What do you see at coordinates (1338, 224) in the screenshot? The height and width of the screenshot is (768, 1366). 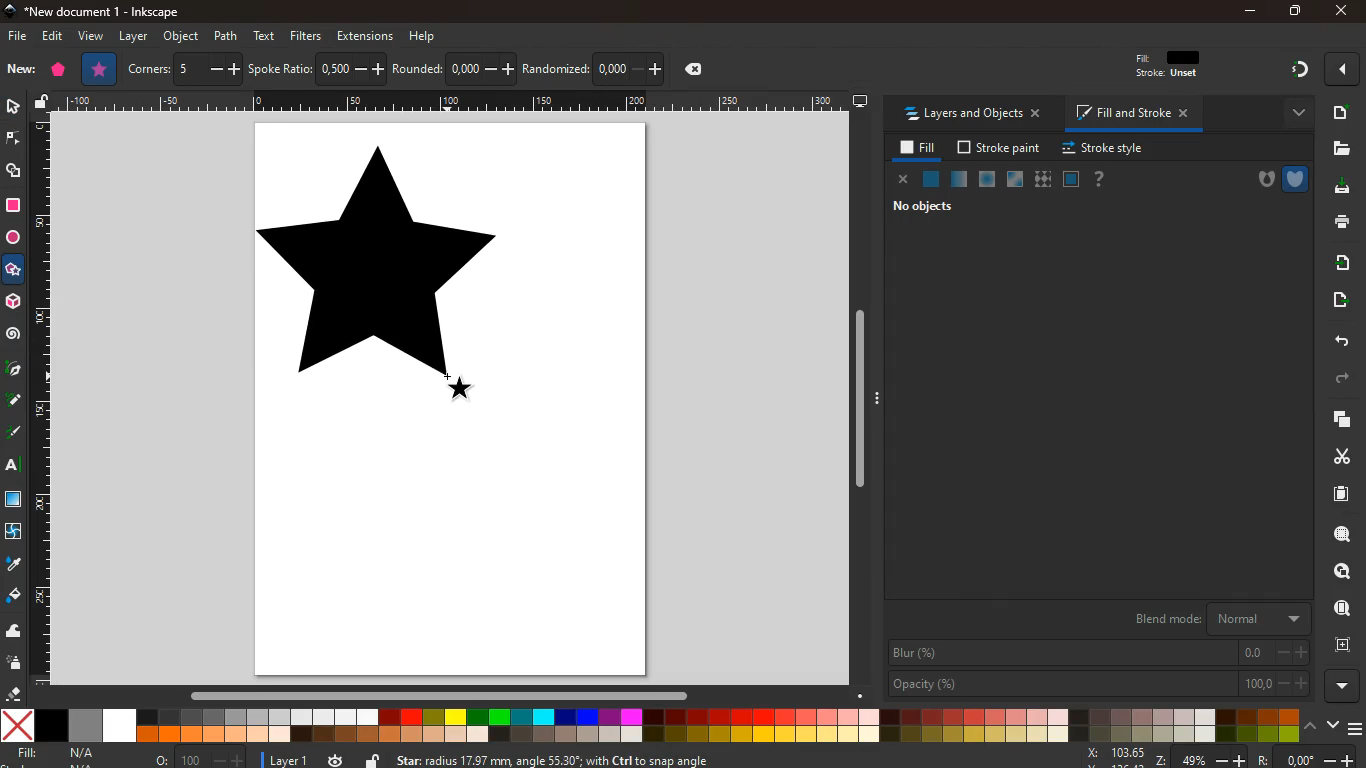 I see `print` at bounding box center [1338, 224].